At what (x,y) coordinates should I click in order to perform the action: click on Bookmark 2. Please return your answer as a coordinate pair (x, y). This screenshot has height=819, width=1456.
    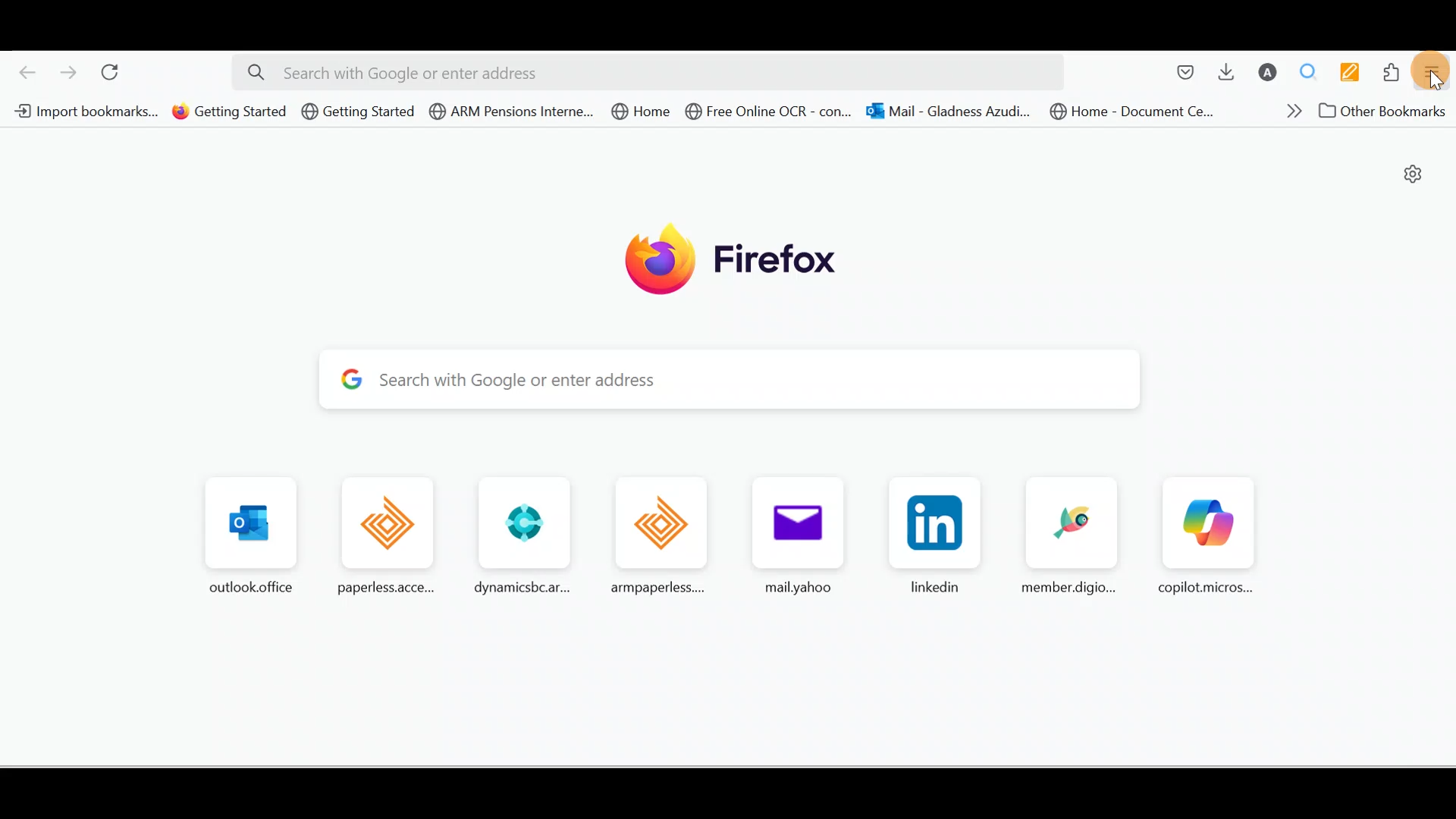
    Looking at the image, I should click on (231, 113).